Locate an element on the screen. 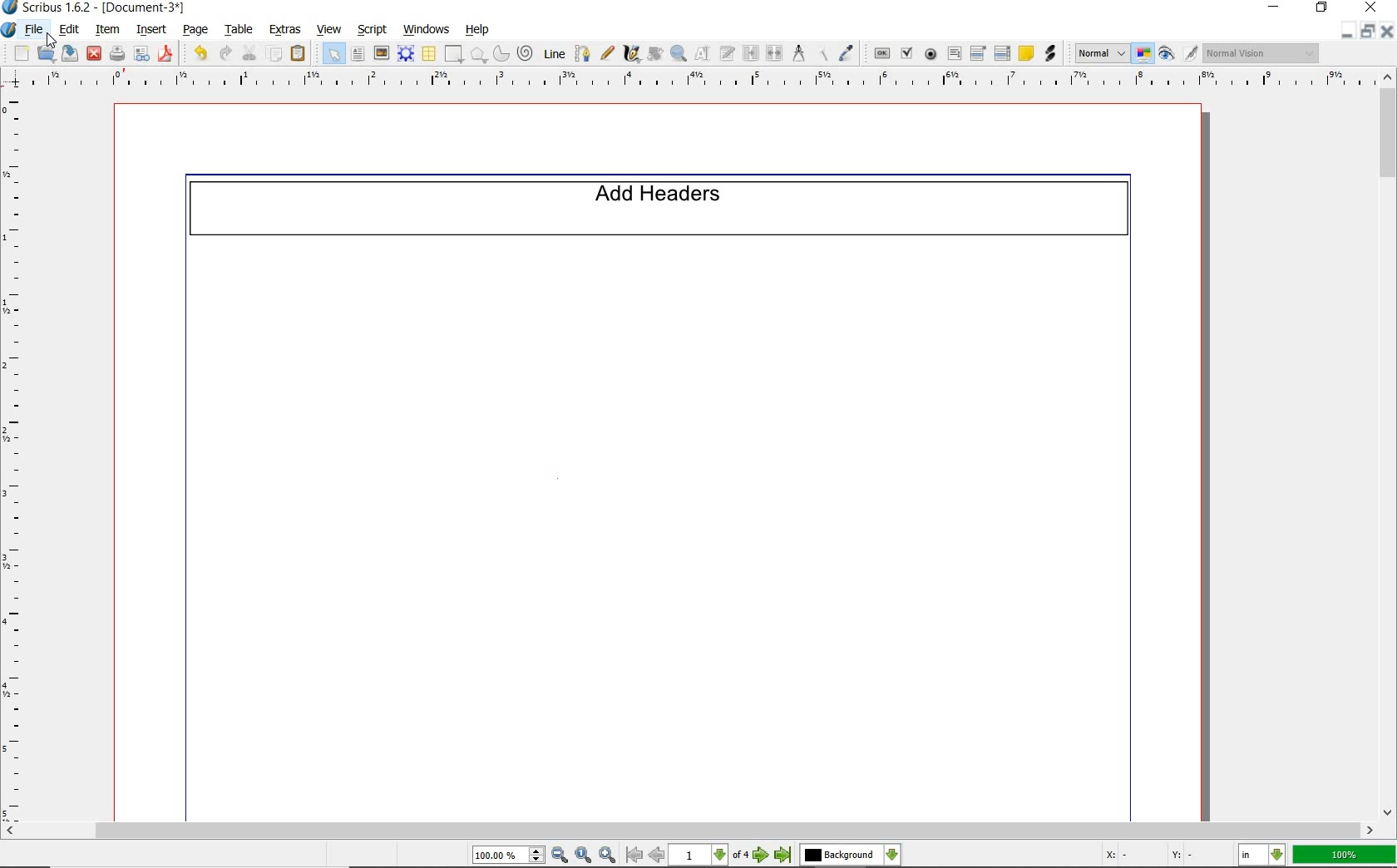 The image size is (1397, 868). text frame is located at coordinates (358, 56).